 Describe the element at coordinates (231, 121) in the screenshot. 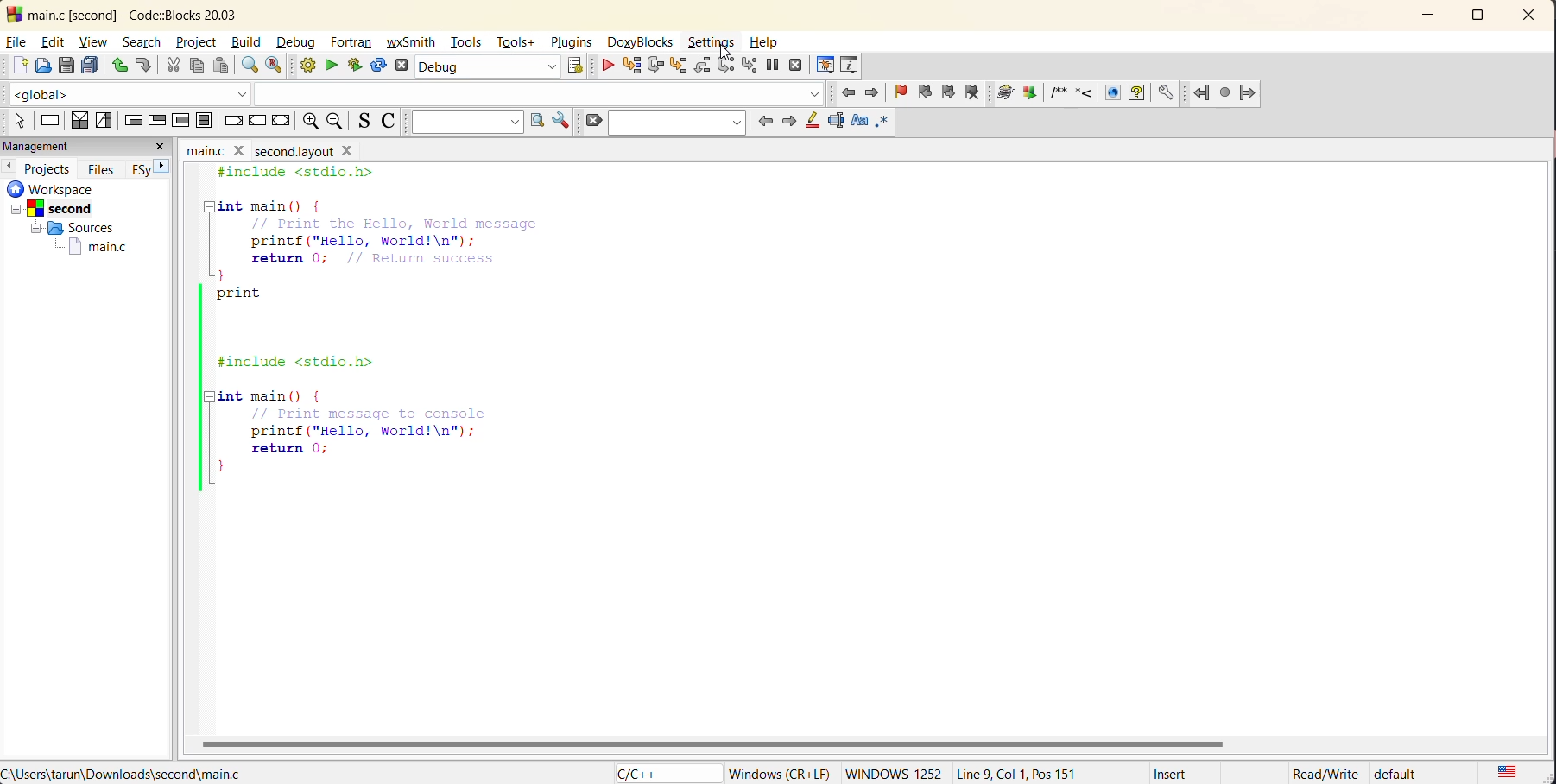

I see `break instruction` at that location.